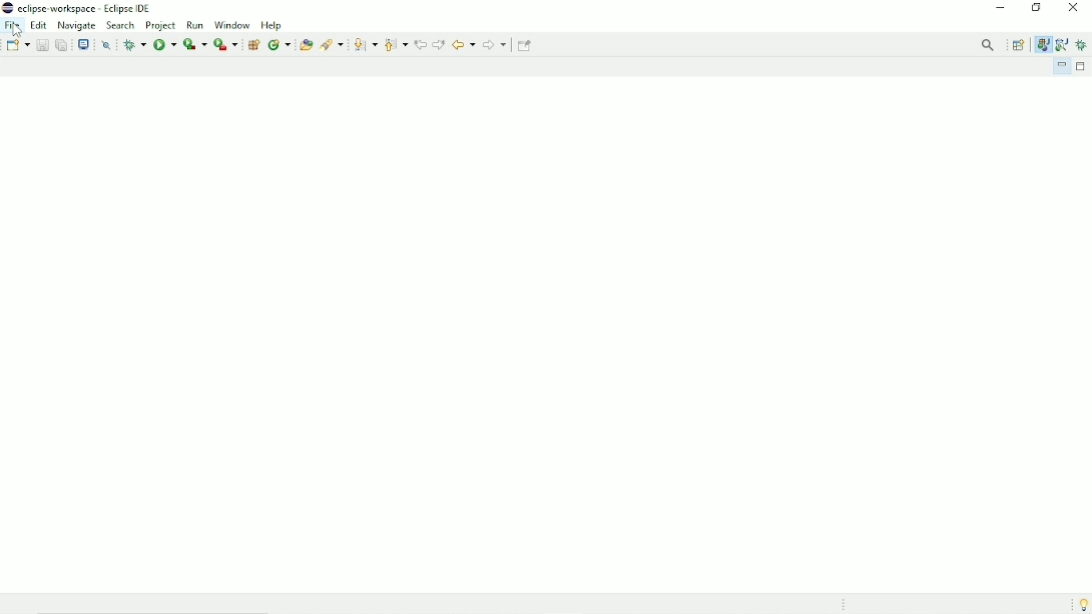 This screenshot has width=1092, height=614. Describe the element at coordinates (463, 43) in the screenshot. I see `Back` at that location.